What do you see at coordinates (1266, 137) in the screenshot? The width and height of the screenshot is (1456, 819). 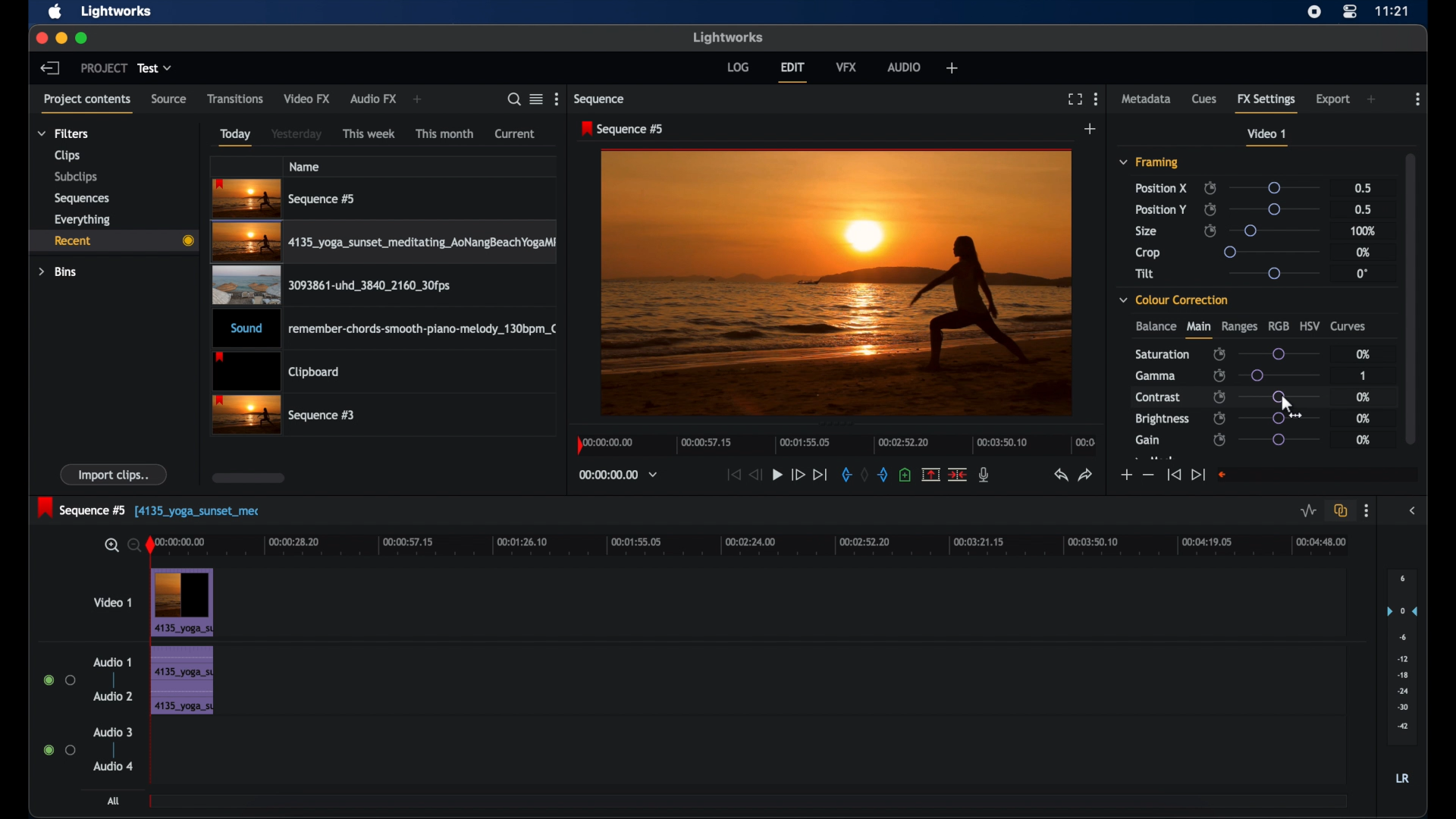 I see `video 1` at bounding box center [1266, 137].